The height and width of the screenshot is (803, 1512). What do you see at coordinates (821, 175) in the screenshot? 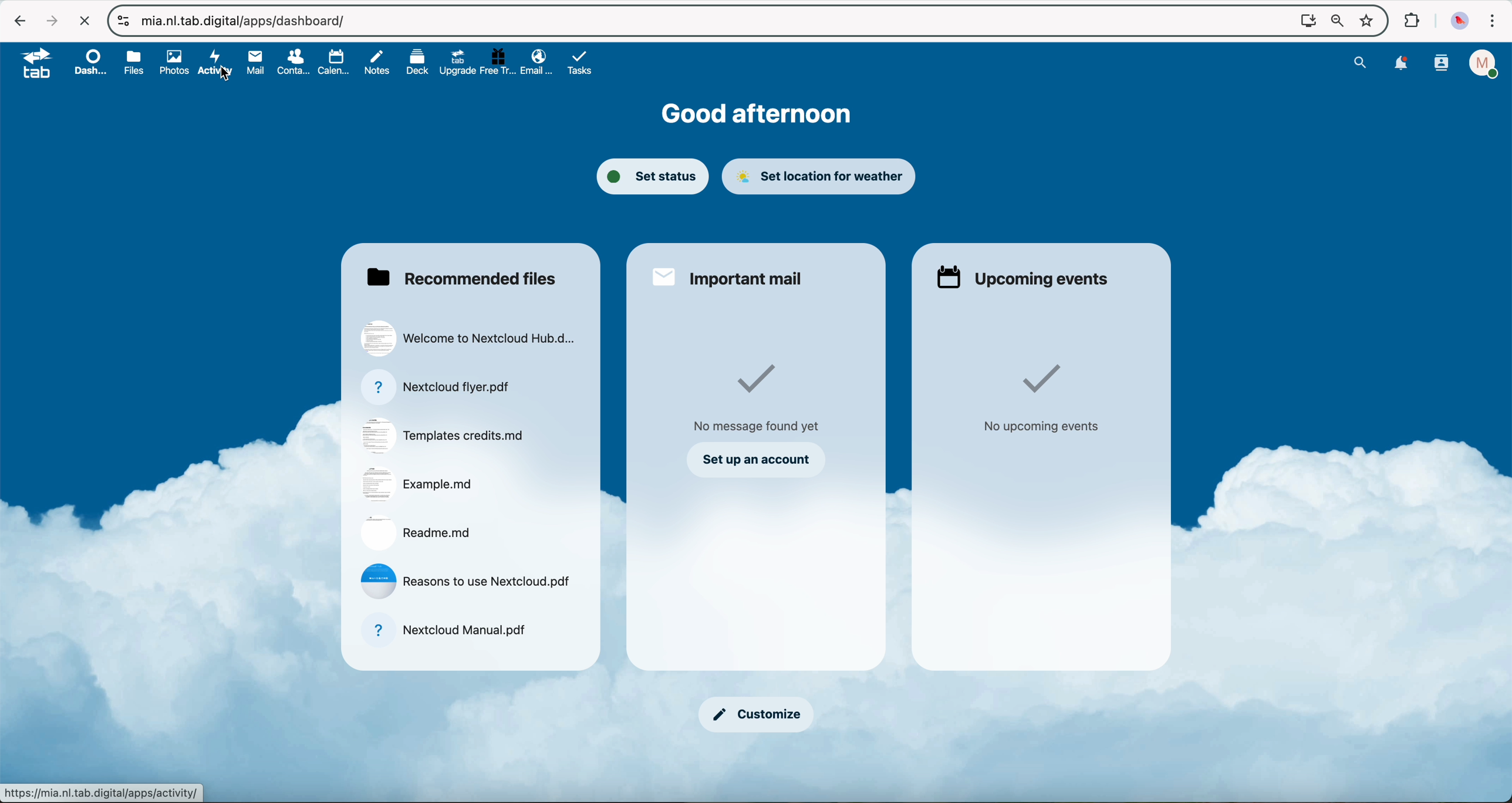
I see `set location for weather` at bounding box center [821, 175].